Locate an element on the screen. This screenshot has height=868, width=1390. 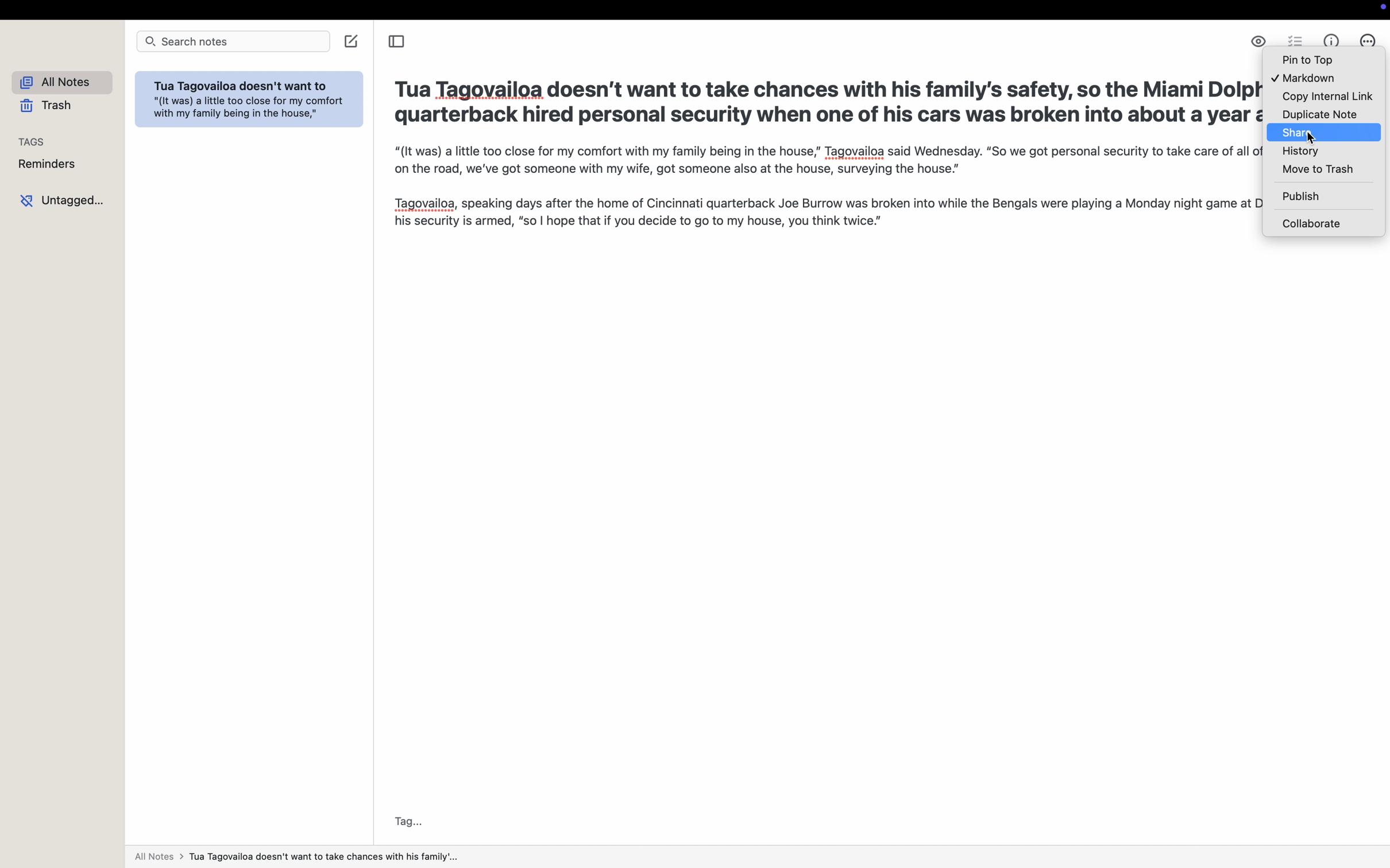
all notes is located at coordinates (57, 82).